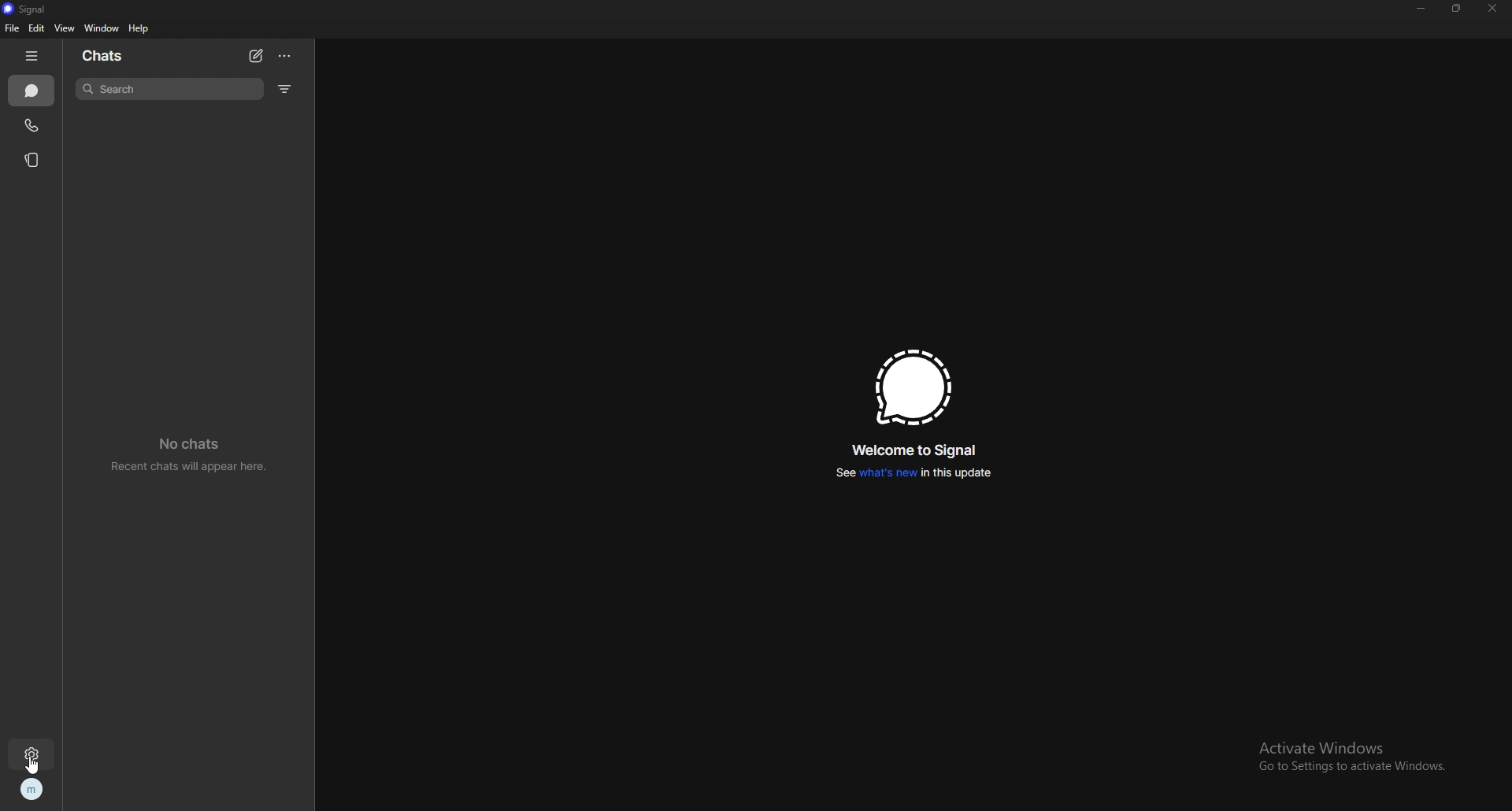 This screenshot has height=811, width=1512. Describe the element at coordinates (913, 387) in the screenshot. I see `signal` at that location.